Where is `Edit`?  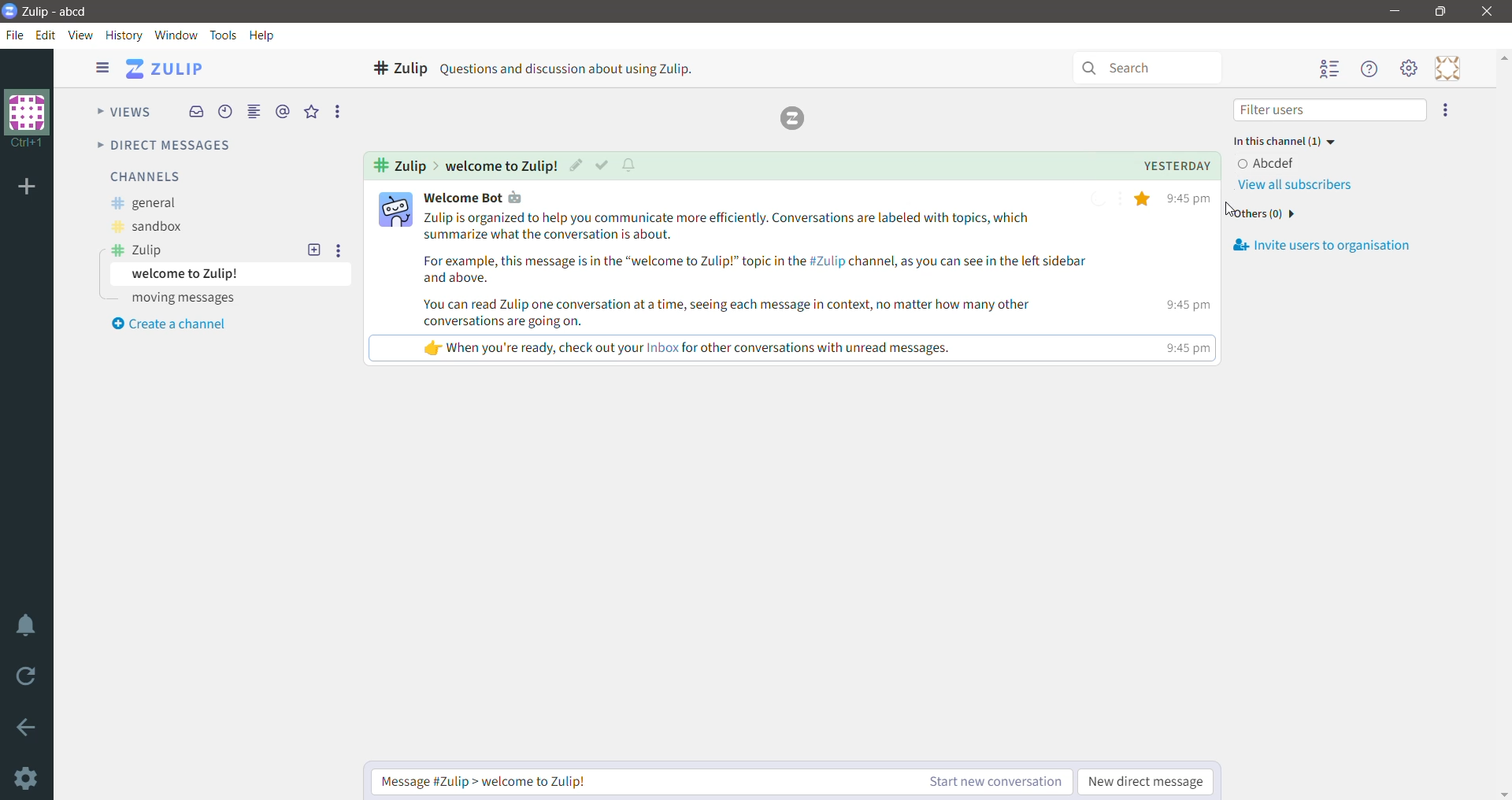 Edit is located at coordinates (46, 35).